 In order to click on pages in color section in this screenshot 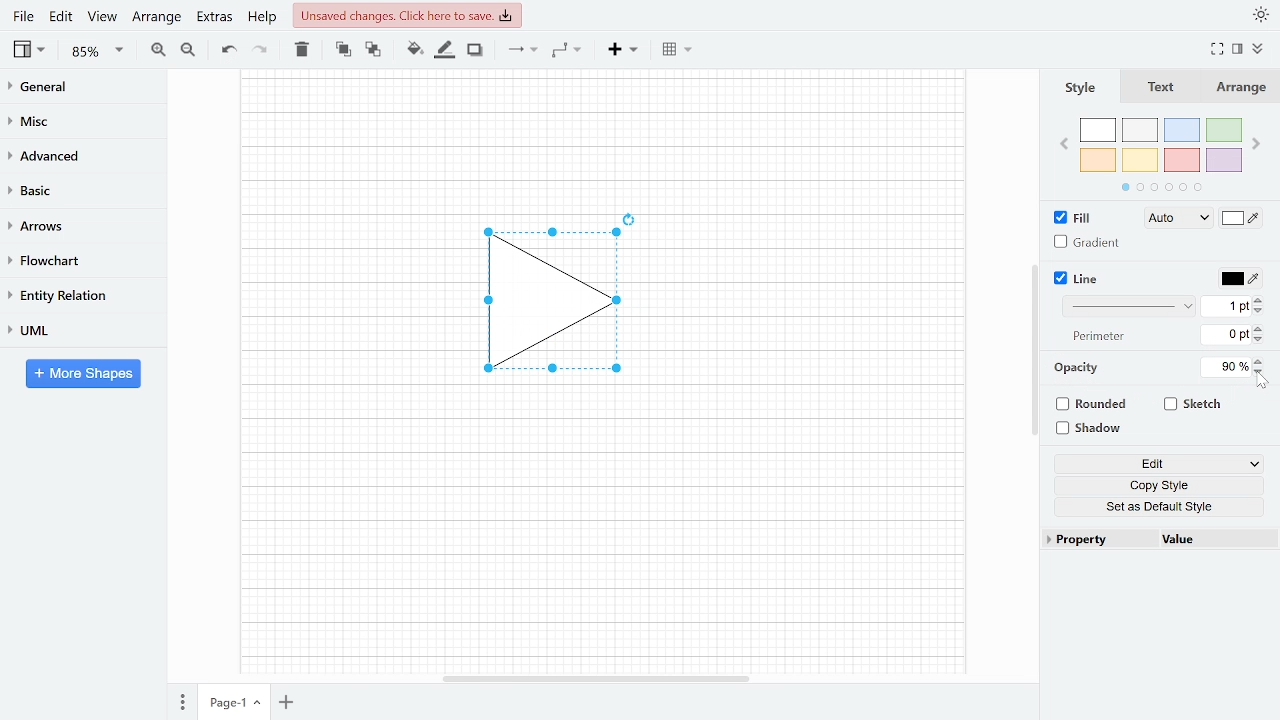, I will do `click(1159, 185)`.